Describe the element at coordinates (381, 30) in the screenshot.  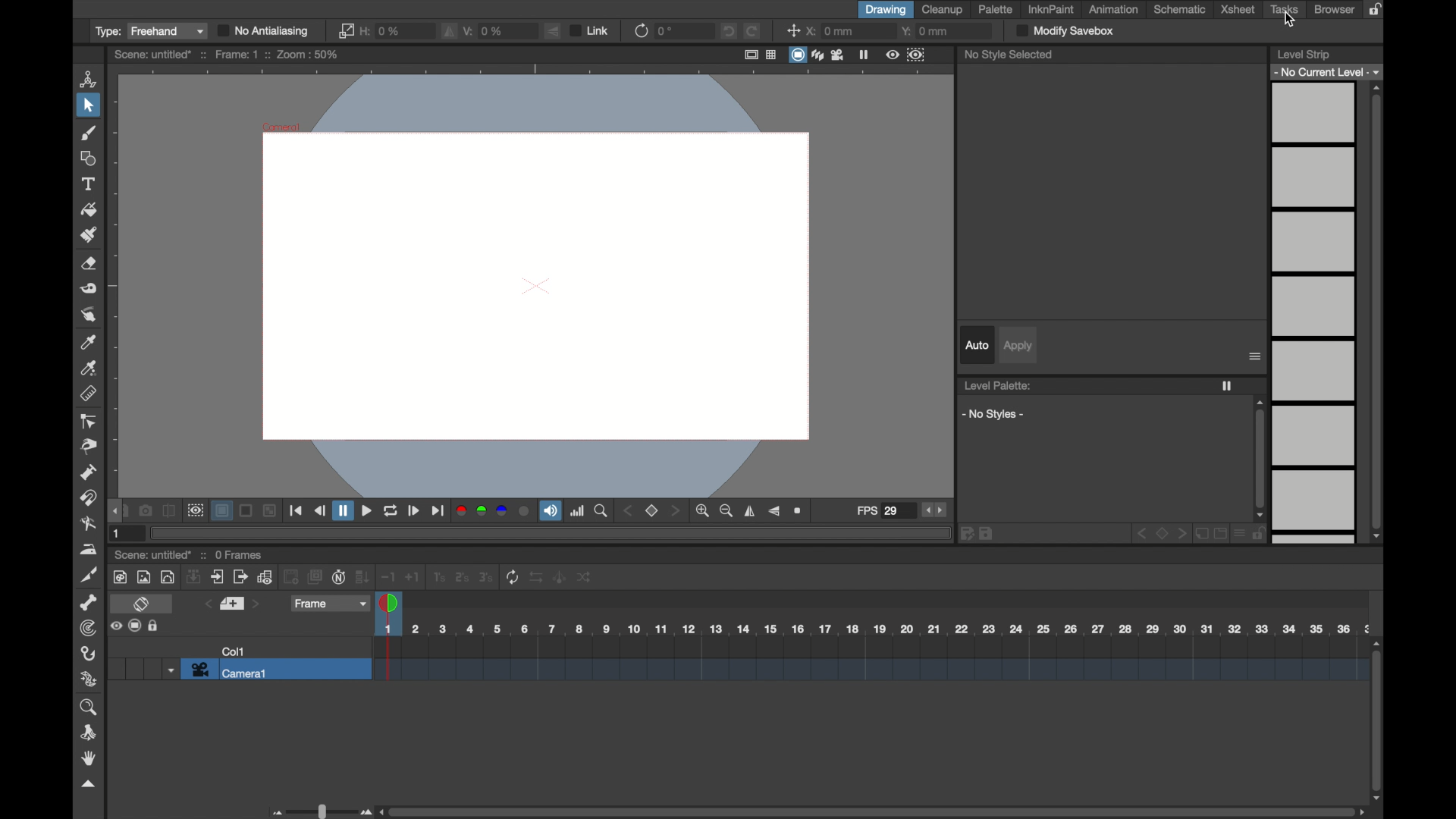
I see `h: 0%` at that location.